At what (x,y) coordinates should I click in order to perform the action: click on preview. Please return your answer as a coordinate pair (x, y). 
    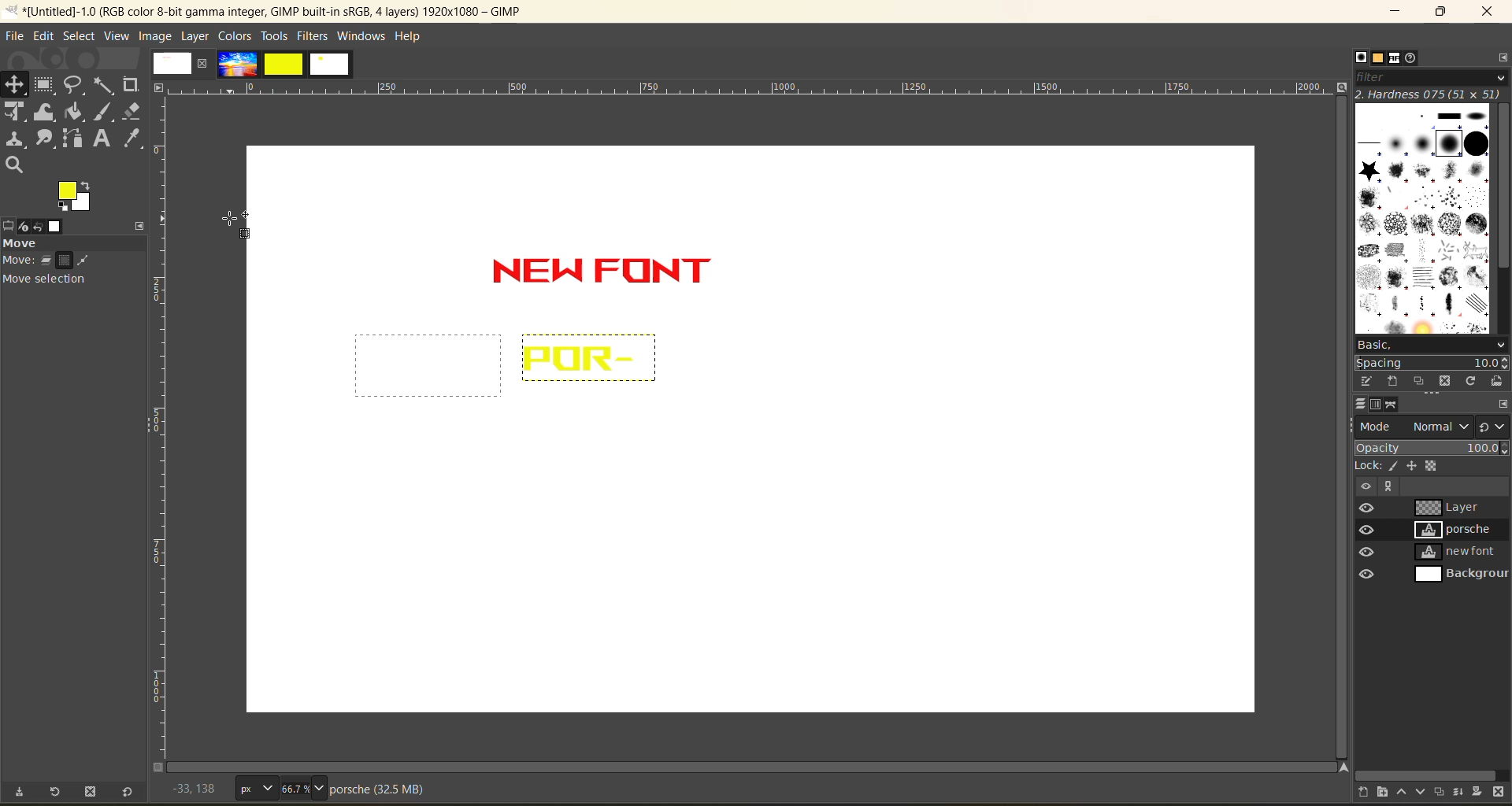
    Looking at the image, I should click on (1366, 545).